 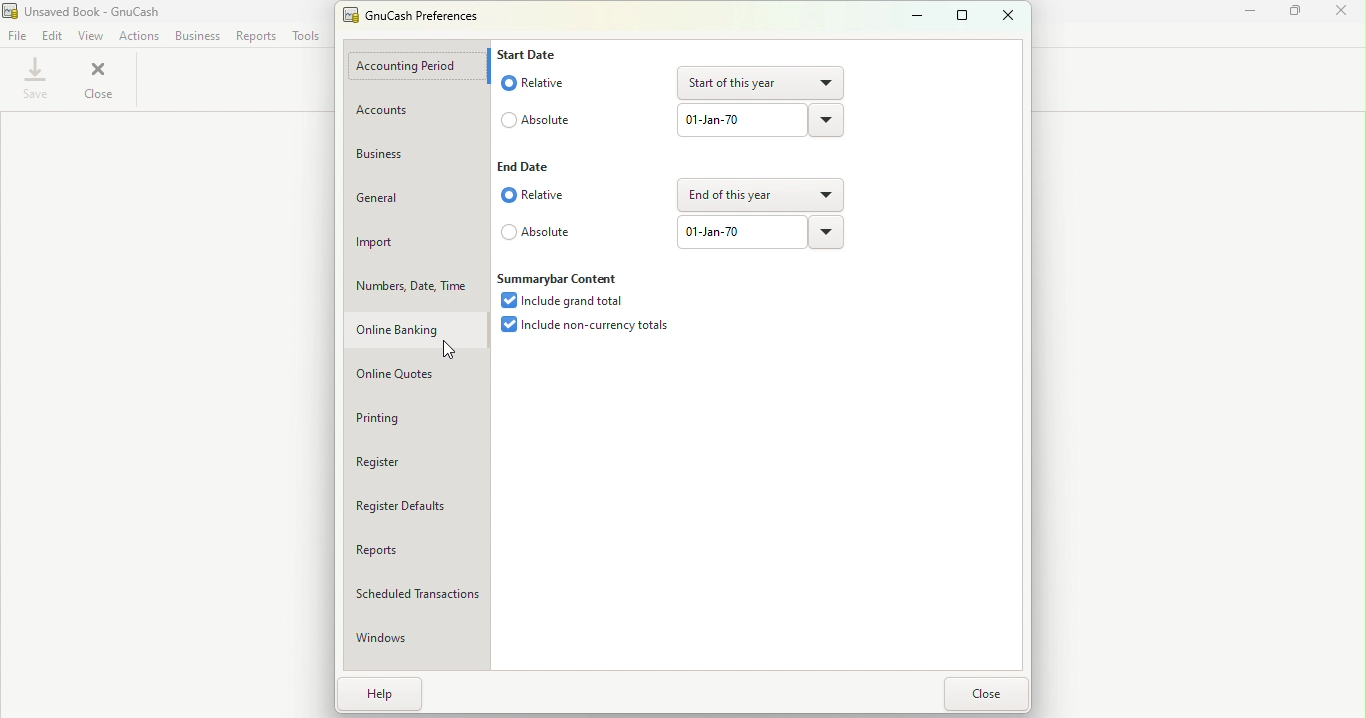 What do you see at coordinates (411, 330) in the screenshot?
I see `Online banking` at bounding box center [411, 330].